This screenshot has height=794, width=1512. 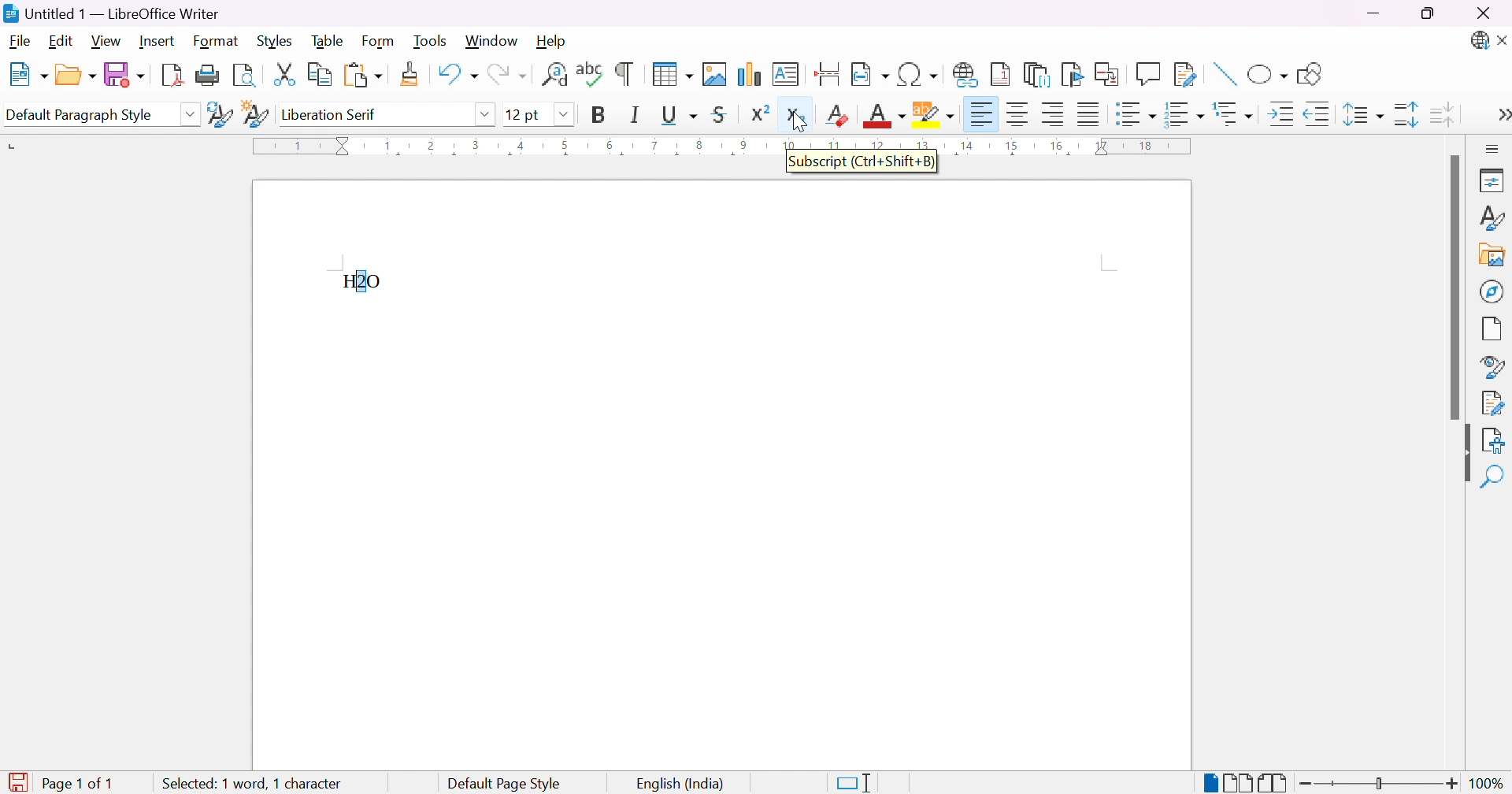 I want to click on Insert field, so click(x=869, y=75).